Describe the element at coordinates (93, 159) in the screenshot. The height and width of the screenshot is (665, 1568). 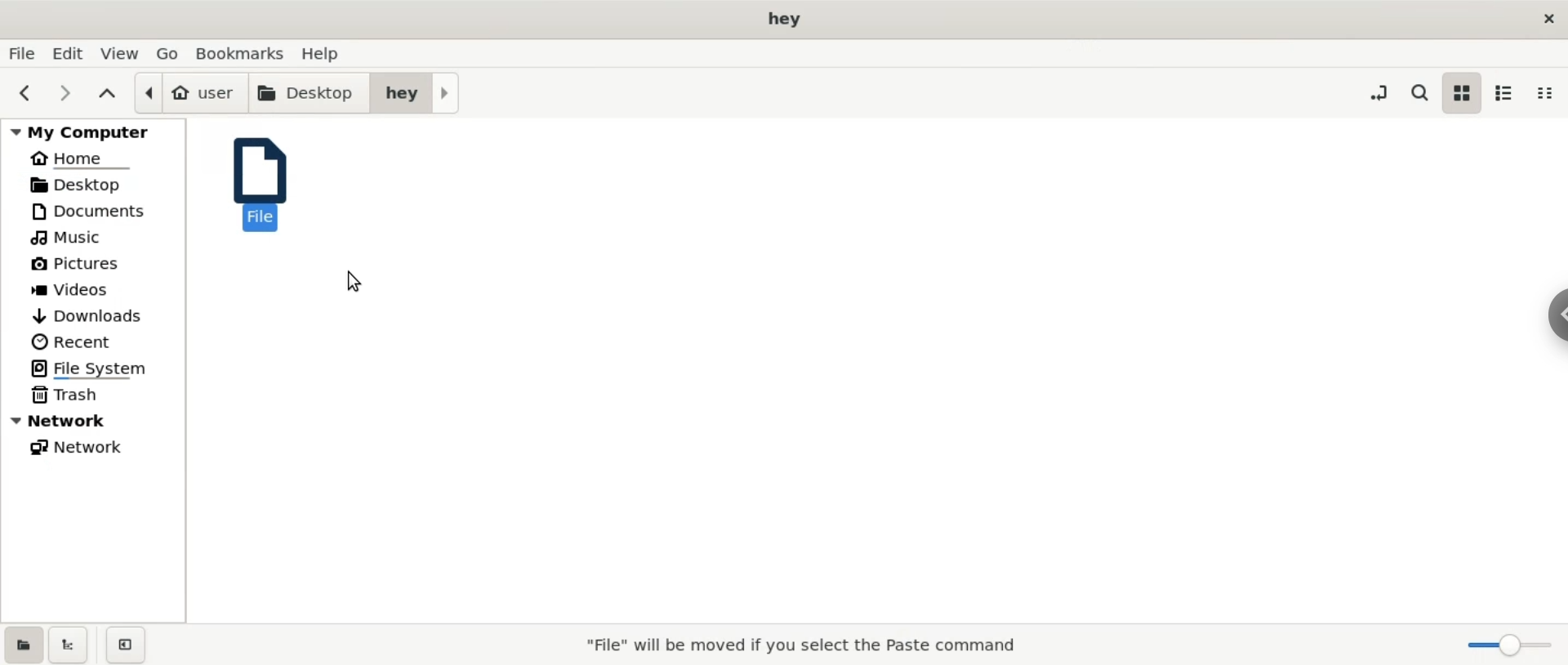
I see `home` at that location.